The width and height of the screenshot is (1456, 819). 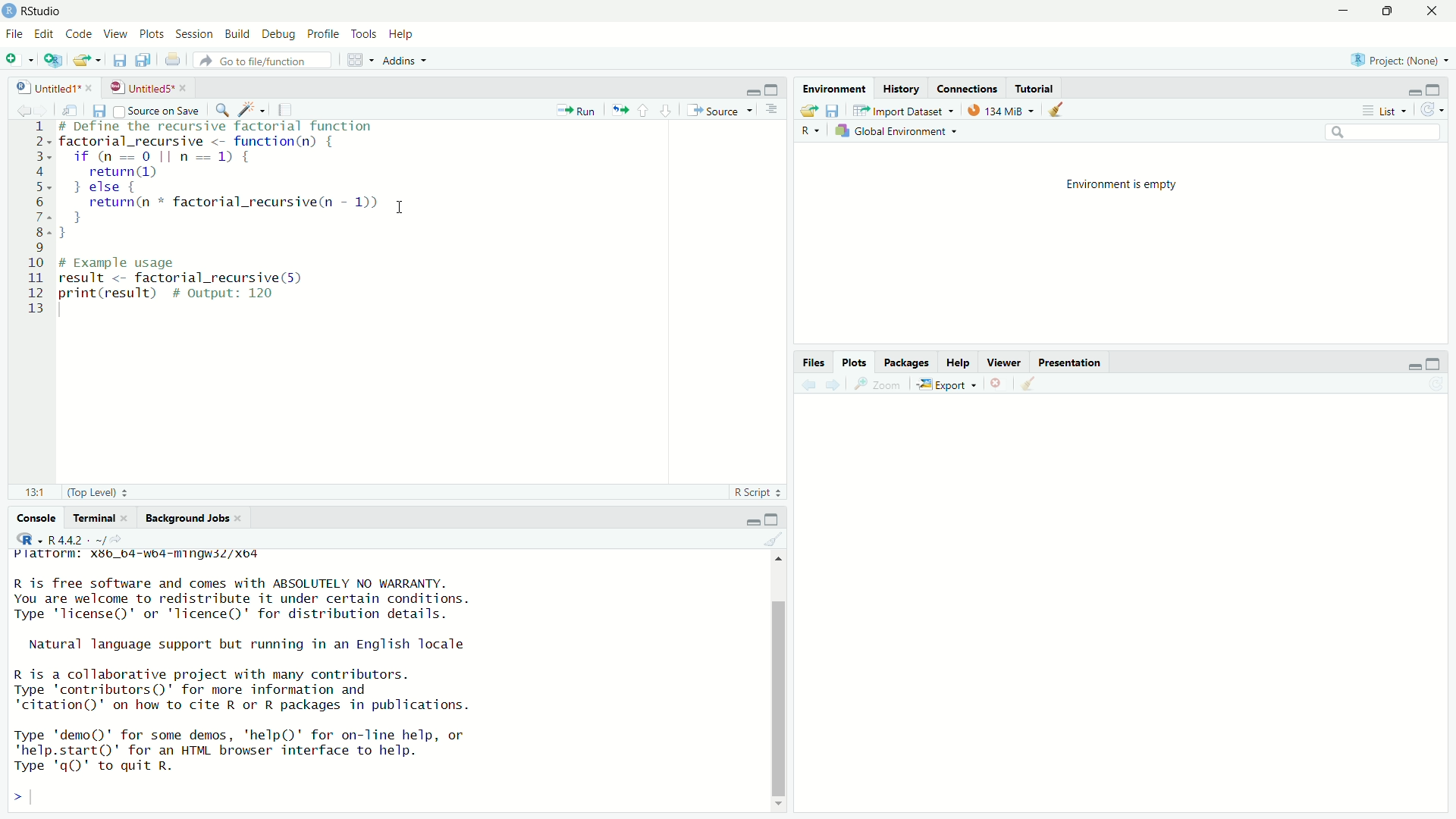 What do you see at coordinates (807, 109) in the screenshot?
I see `Load workspace` at bounding box center [807, 109].